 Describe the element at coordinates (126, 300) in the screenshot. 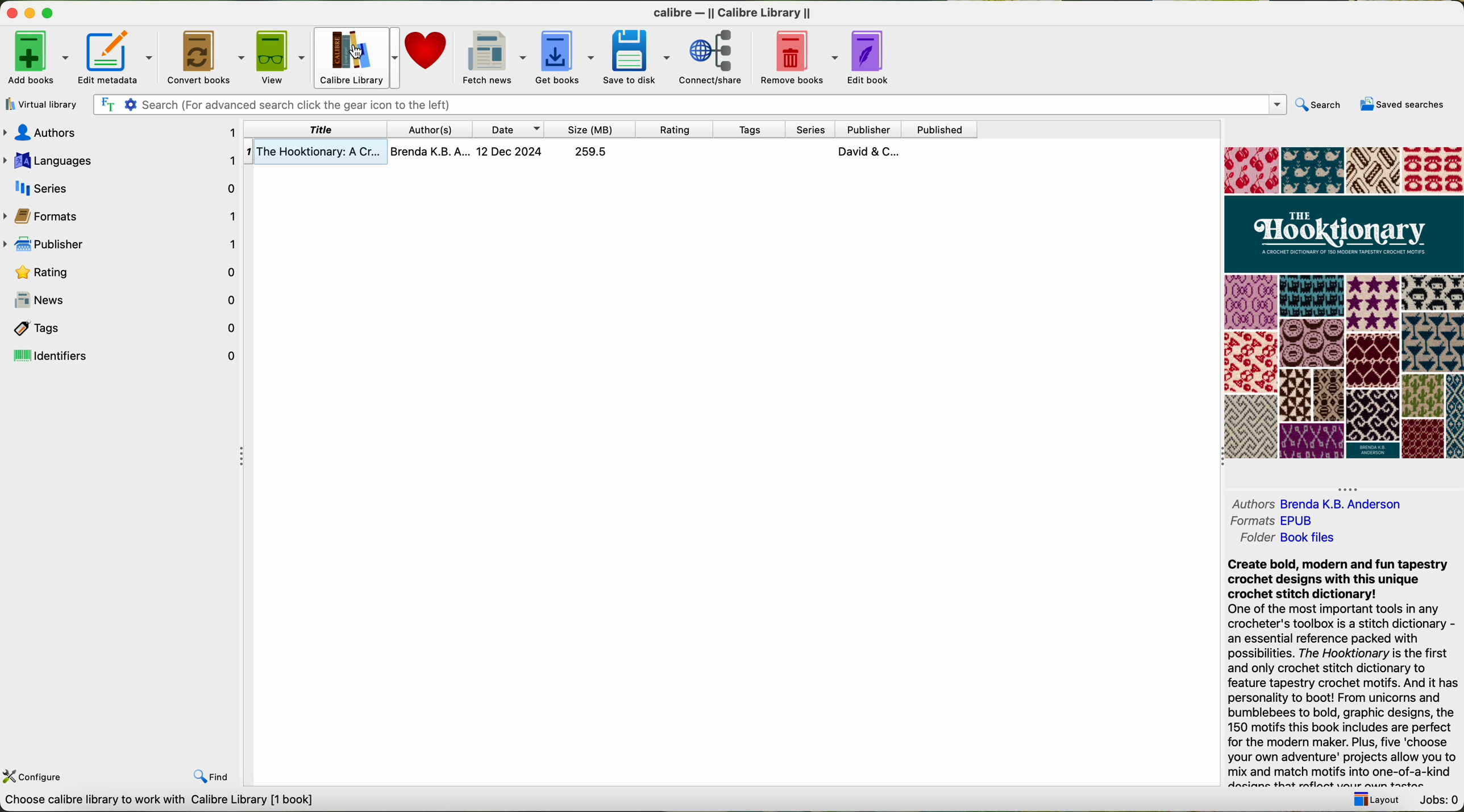

I see `news` at that location.